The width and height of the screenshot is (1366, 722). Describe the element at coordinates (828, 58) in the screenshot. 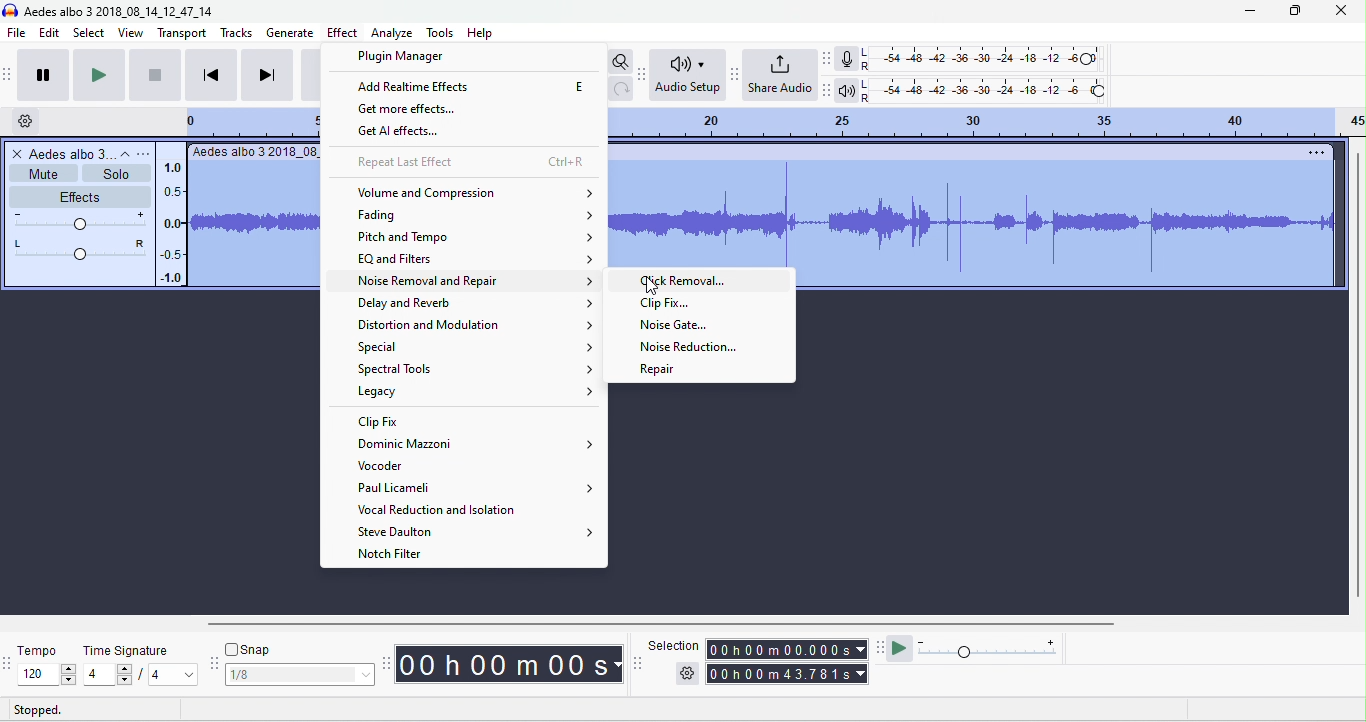

I see `recording meter toolbar` at that location.